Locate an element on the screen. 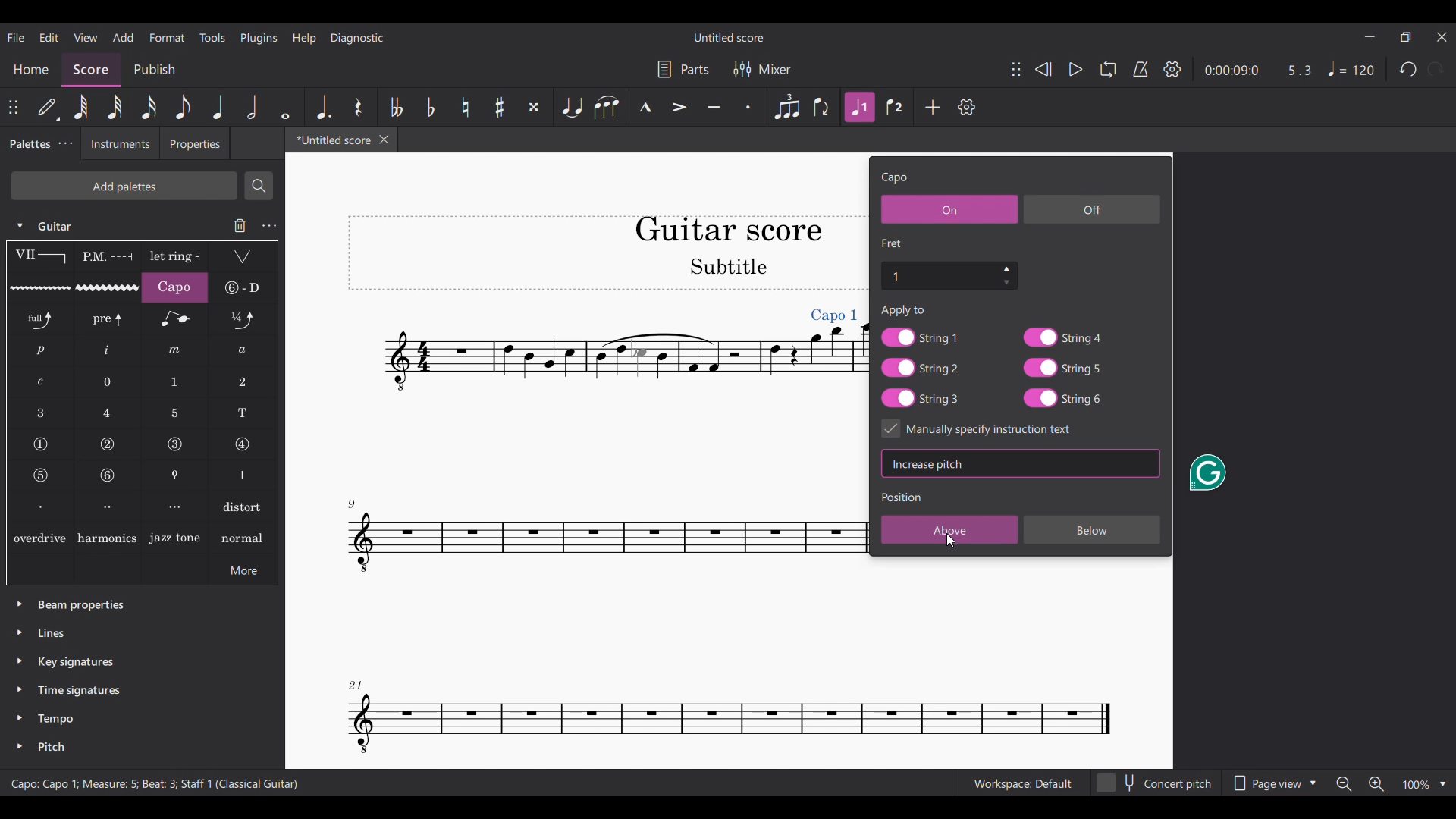 Image resolution: width=1456 pixels, height=819 pixels. LH guitar fingering 3 is located at coordinates (40, 413).